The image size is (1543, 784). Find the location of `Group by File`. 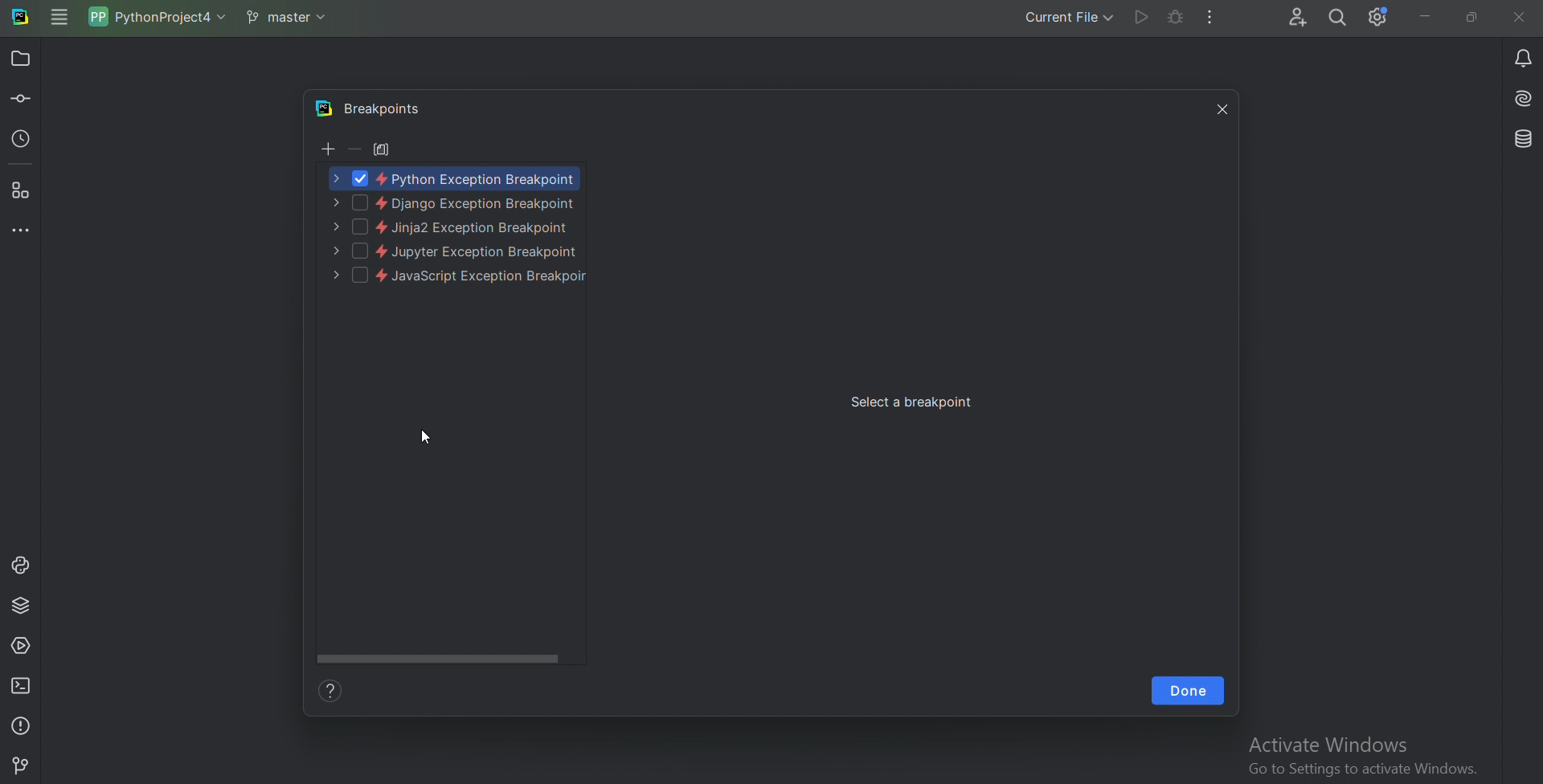

Group by File is located at coordinates (383, 149).